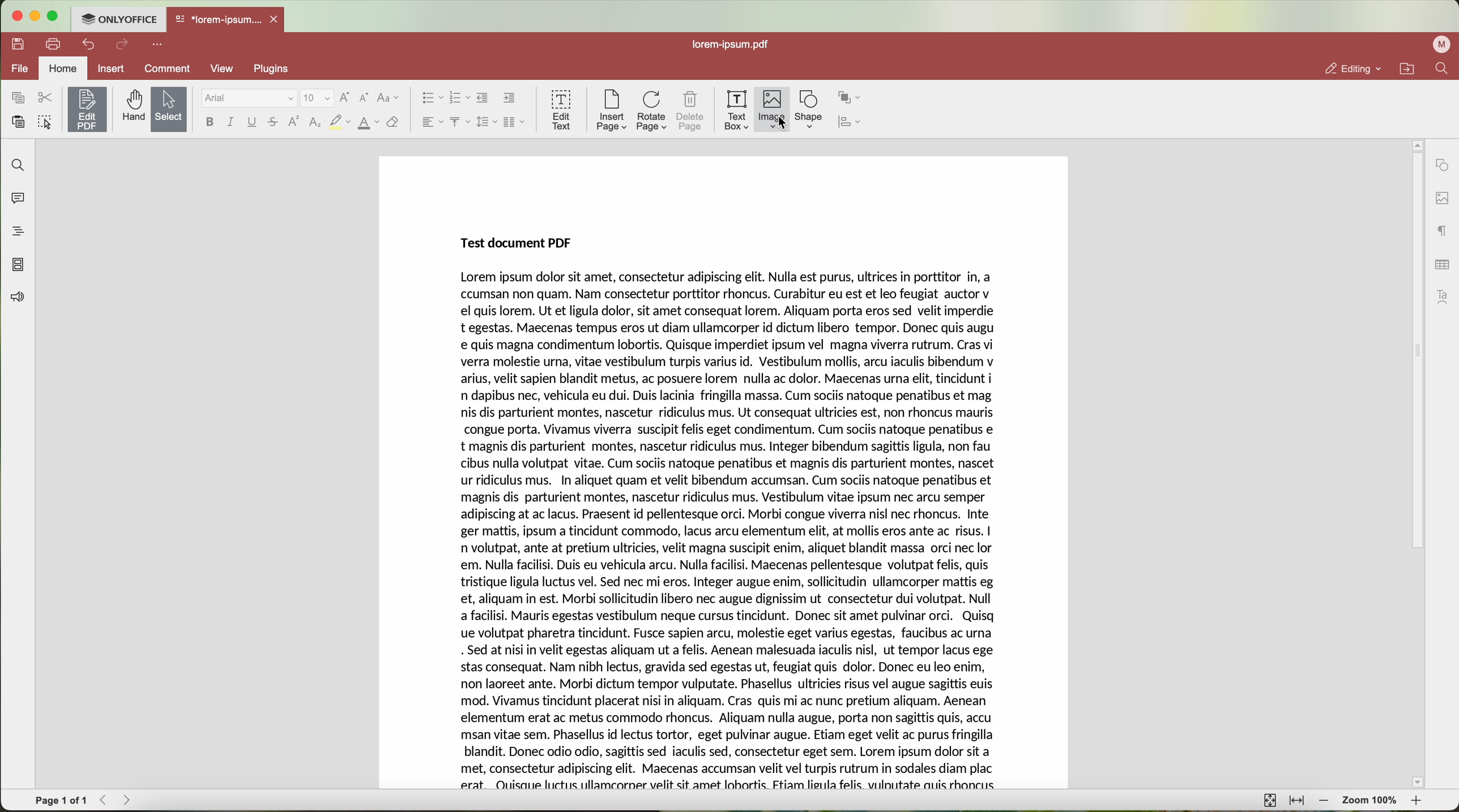  I want to click on italic, so click(231, 122).